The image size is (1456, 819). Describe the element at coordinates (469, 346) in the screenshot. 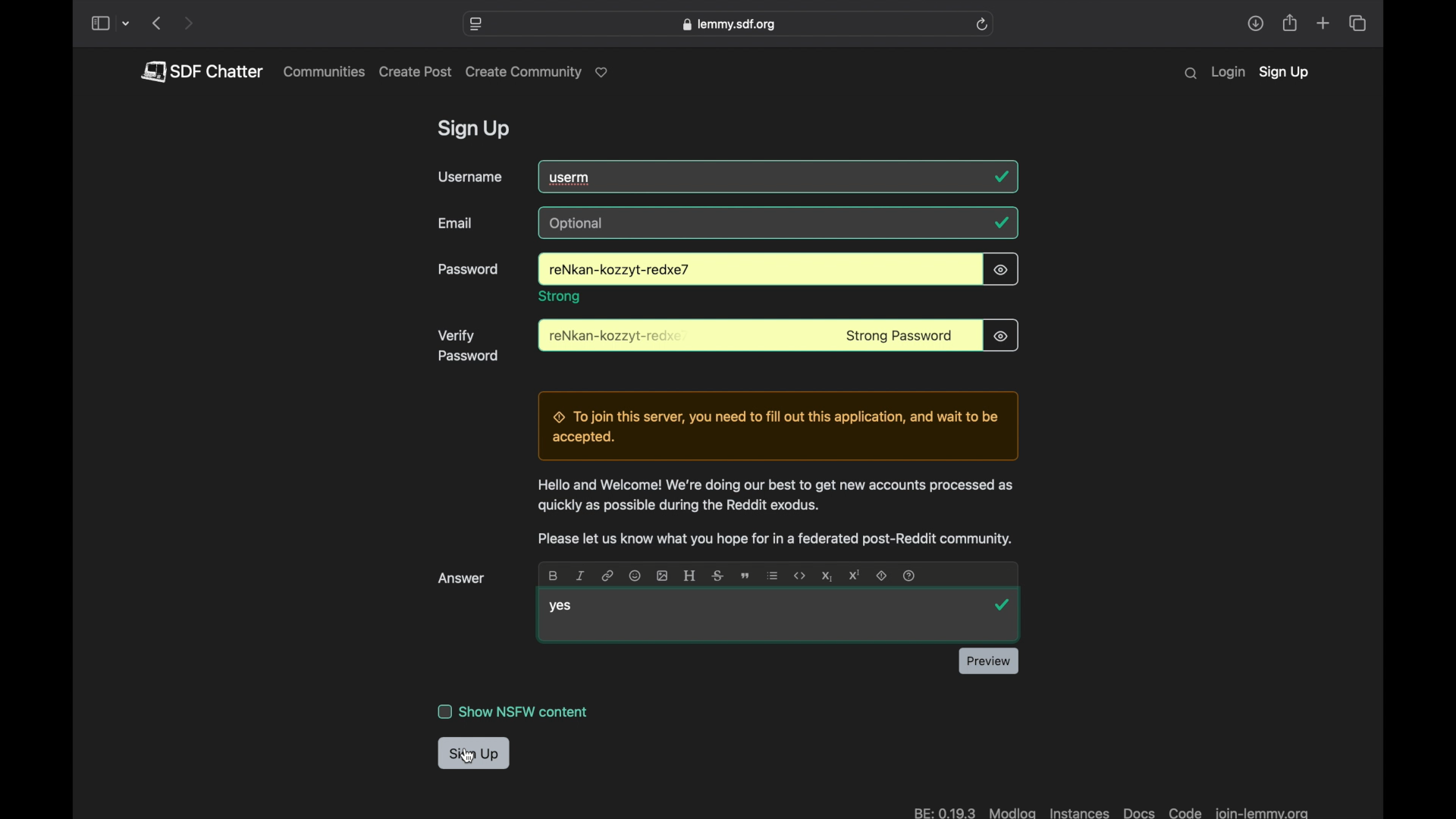

I see `verify password` at that location.